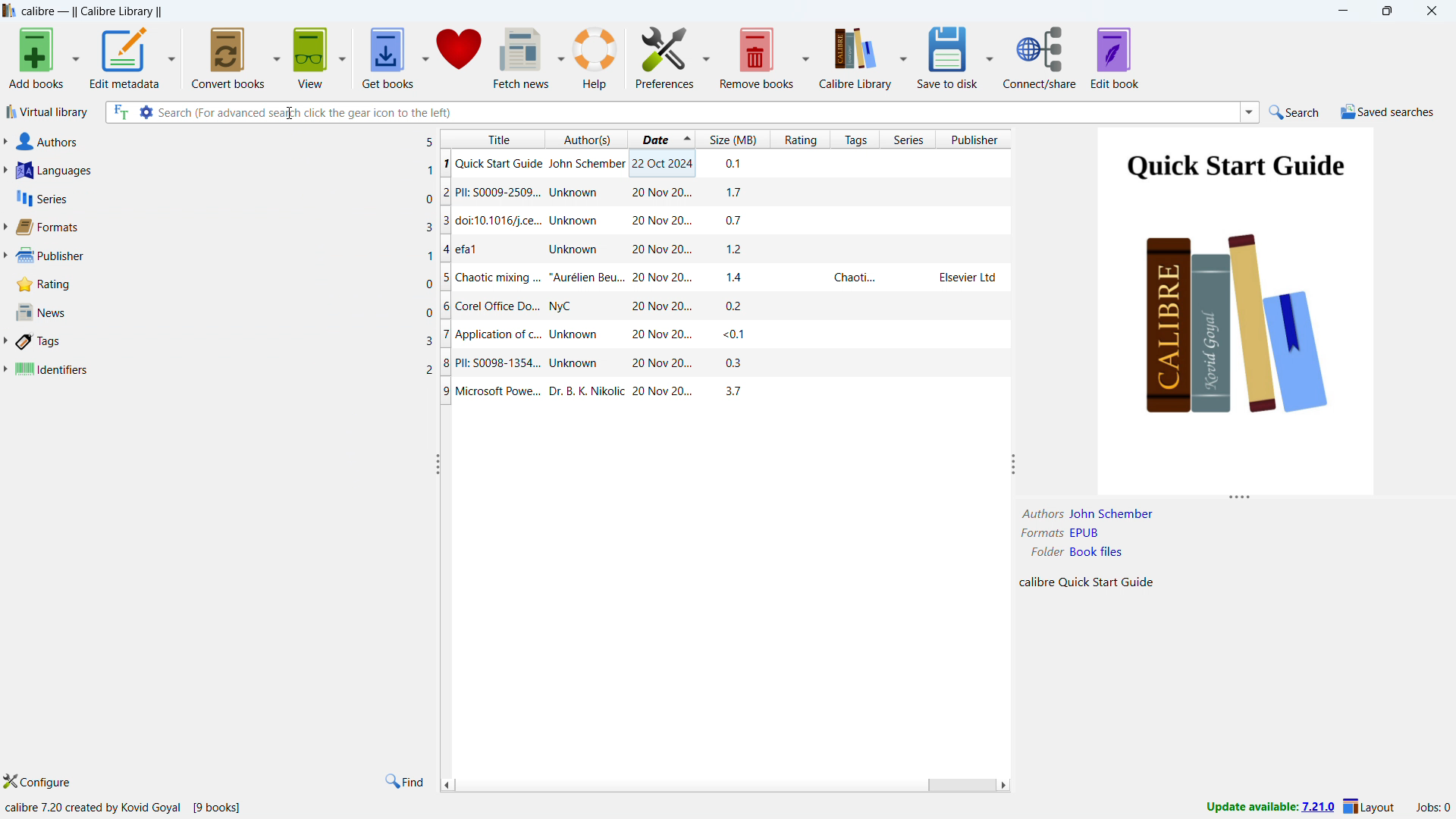  What do you see at coordinates (225, 171) in the screenshot?
I see `languages` at bounding box center [225, 171].